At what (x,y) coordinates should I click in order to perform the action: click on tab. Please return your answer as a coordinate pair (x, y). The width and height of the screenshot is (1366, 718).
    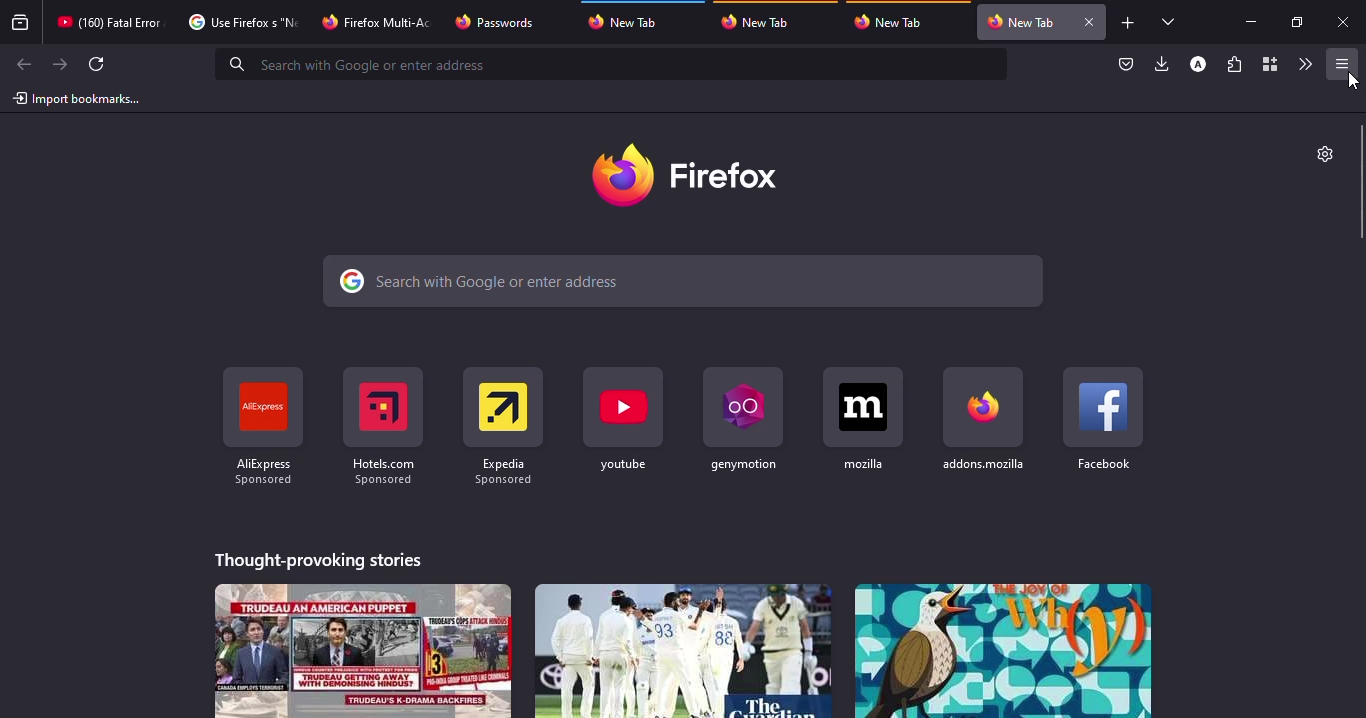
    Looking at the image, I should click on (109, 22).